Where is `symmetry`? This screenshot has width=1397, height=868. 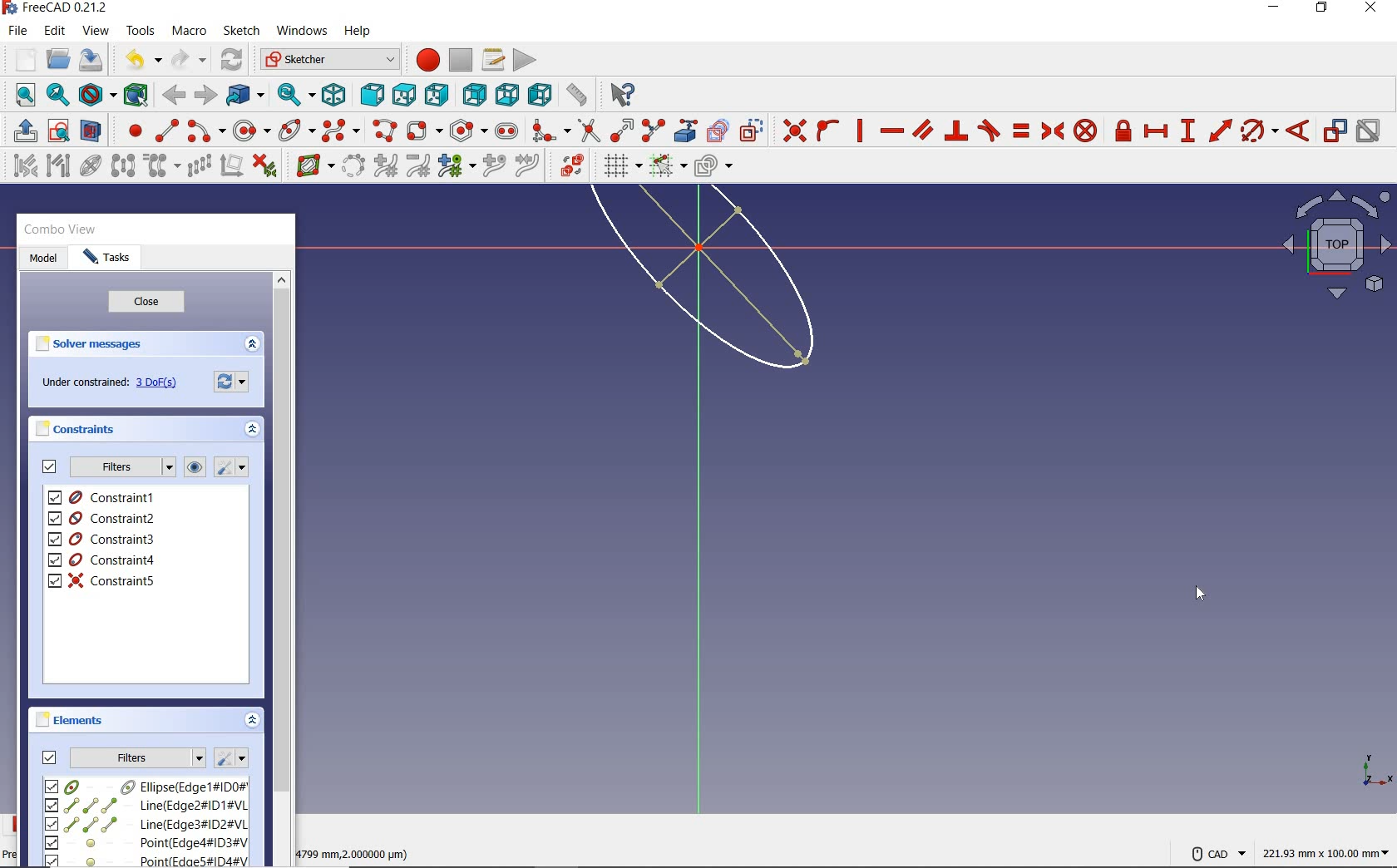 symmetry is located at coordinates (124, 165).